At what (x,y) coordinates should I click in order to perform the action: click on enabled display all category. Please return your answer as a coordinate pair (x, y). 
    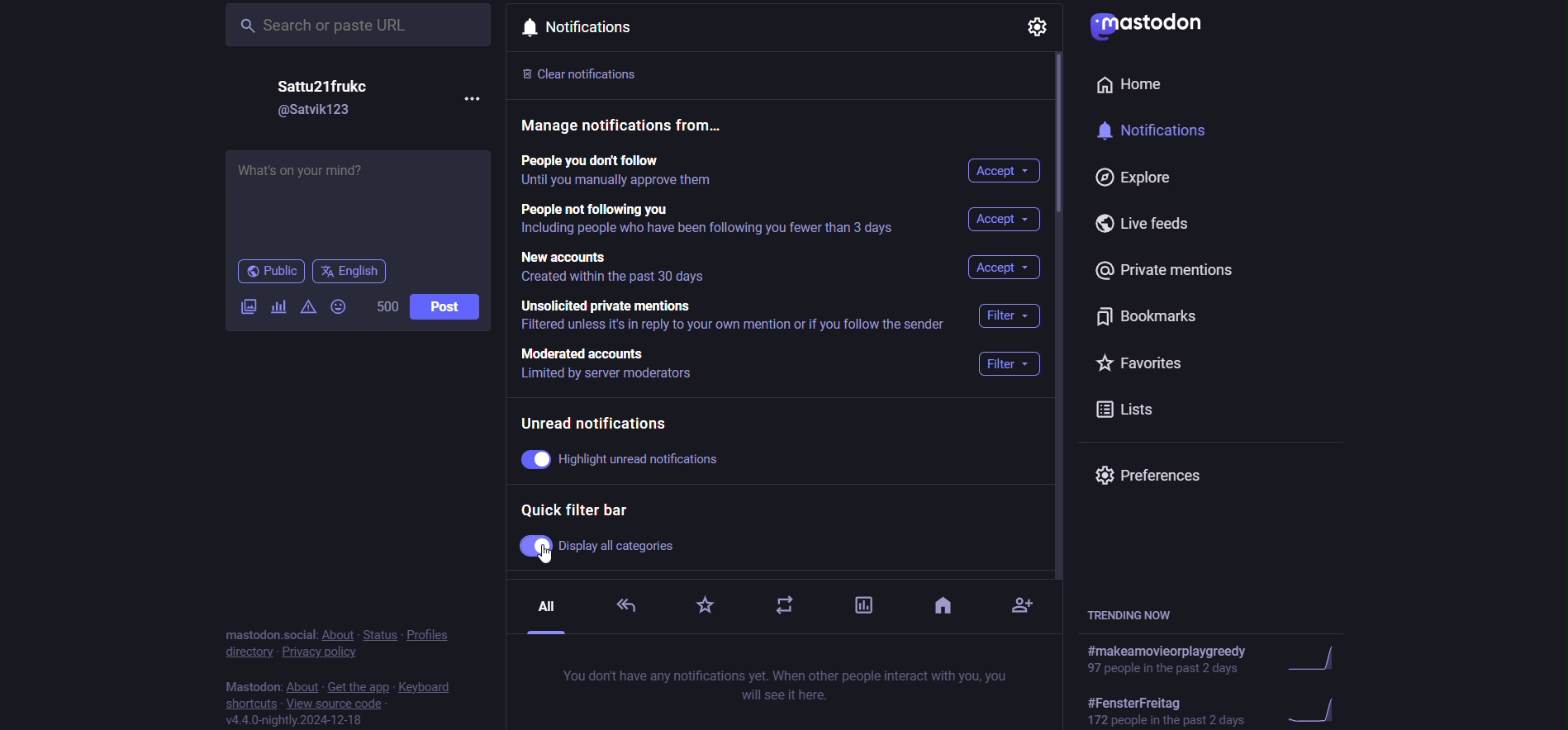
    Looking at the image, I should click on (597, 544).